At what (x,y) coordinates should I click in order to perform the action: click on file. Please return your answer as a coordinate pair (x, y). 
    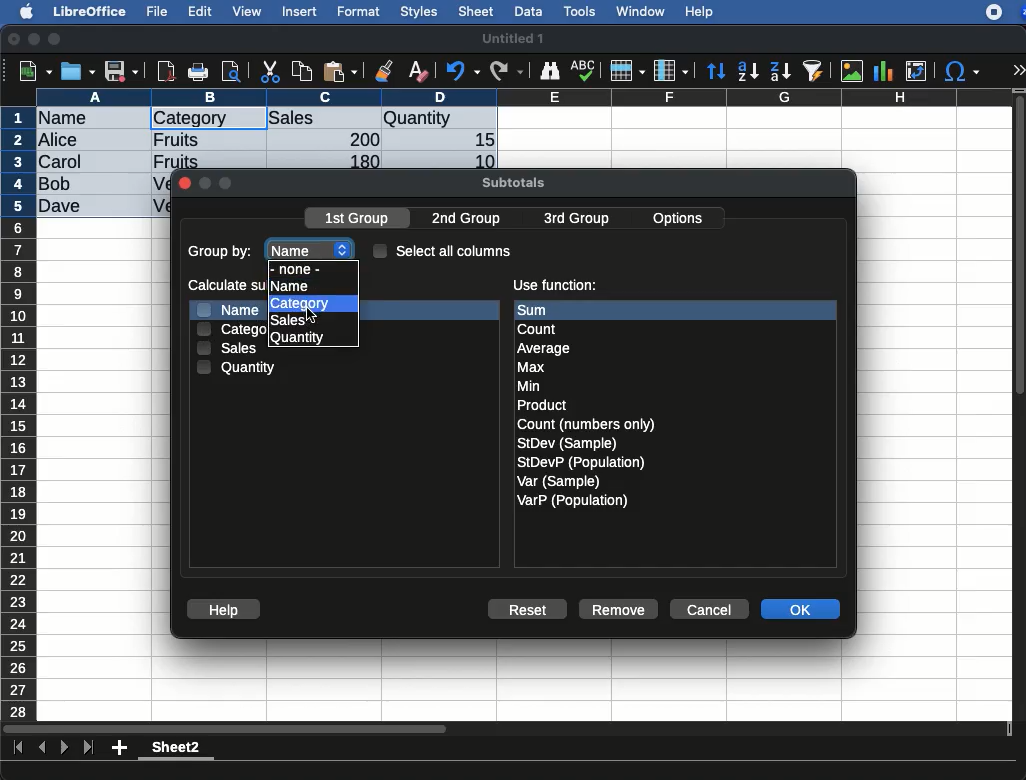
    Looking at the image, I should click on (154, 12).